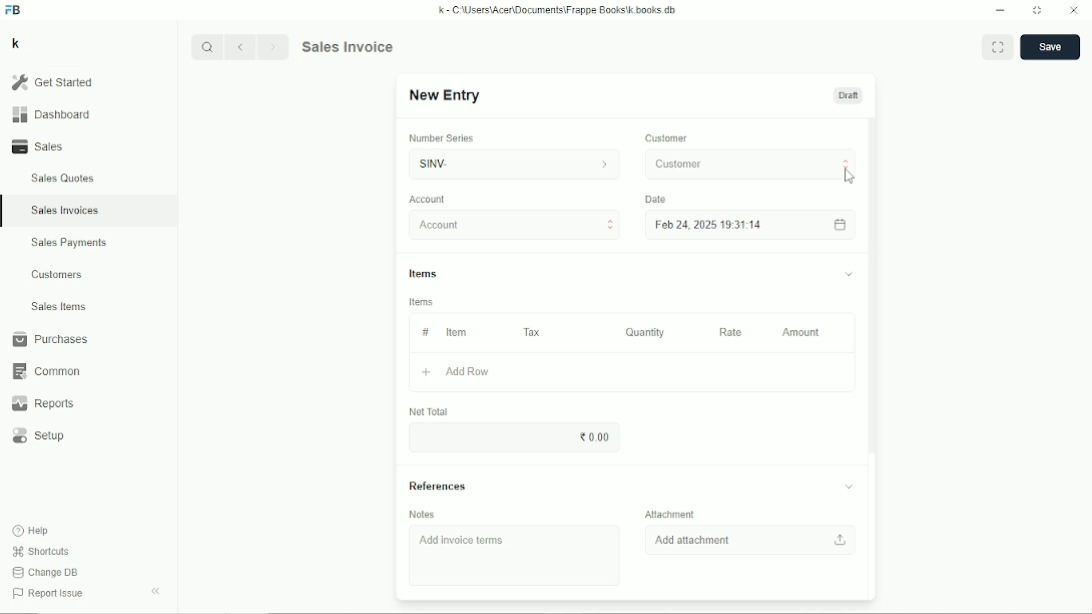 This screenshot has width=1092, height=614. I want to click on Rate, so click(730, 332).